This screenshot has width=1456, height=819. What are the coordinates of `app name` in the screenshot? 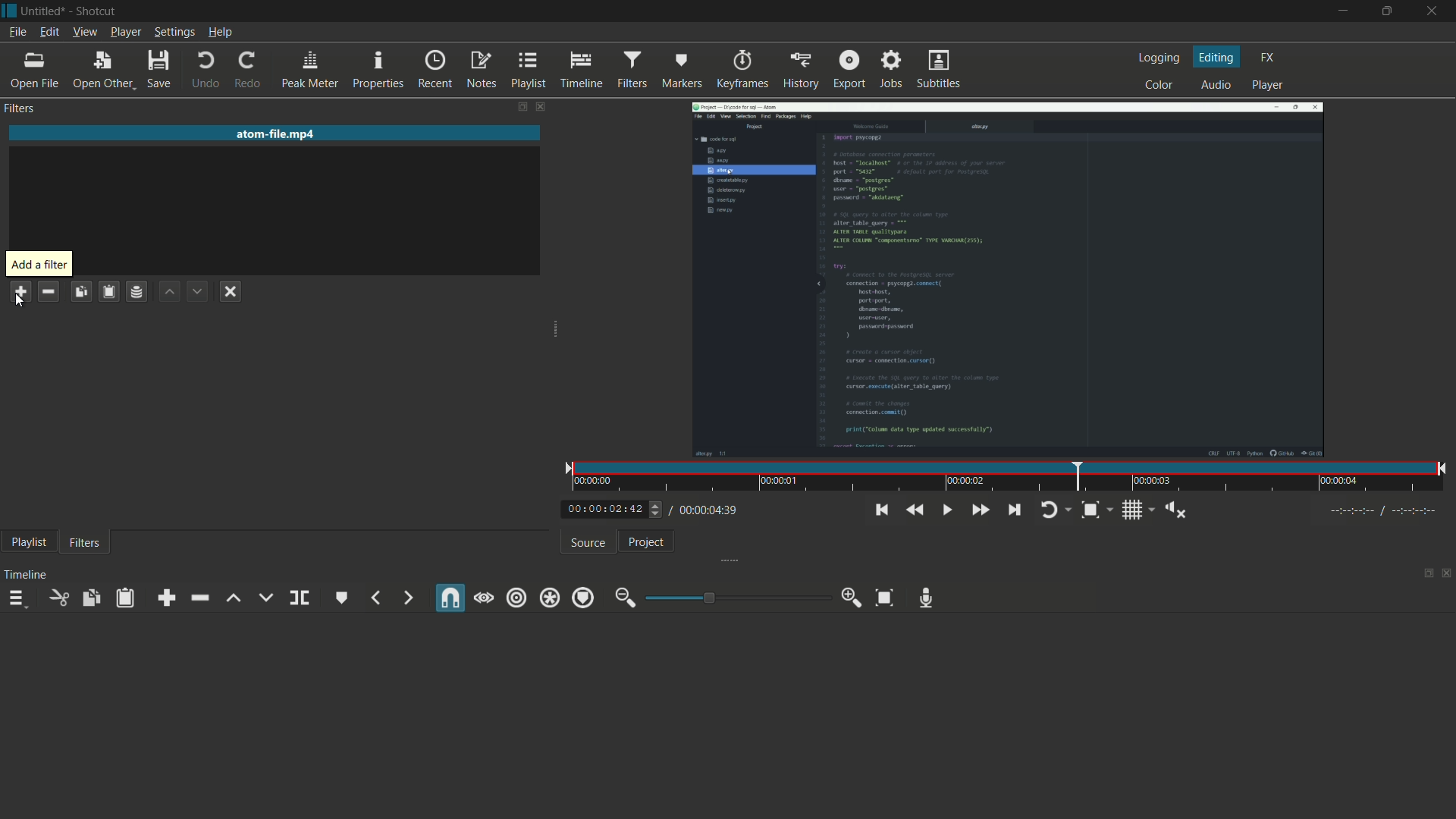 It's located at (96, 11).